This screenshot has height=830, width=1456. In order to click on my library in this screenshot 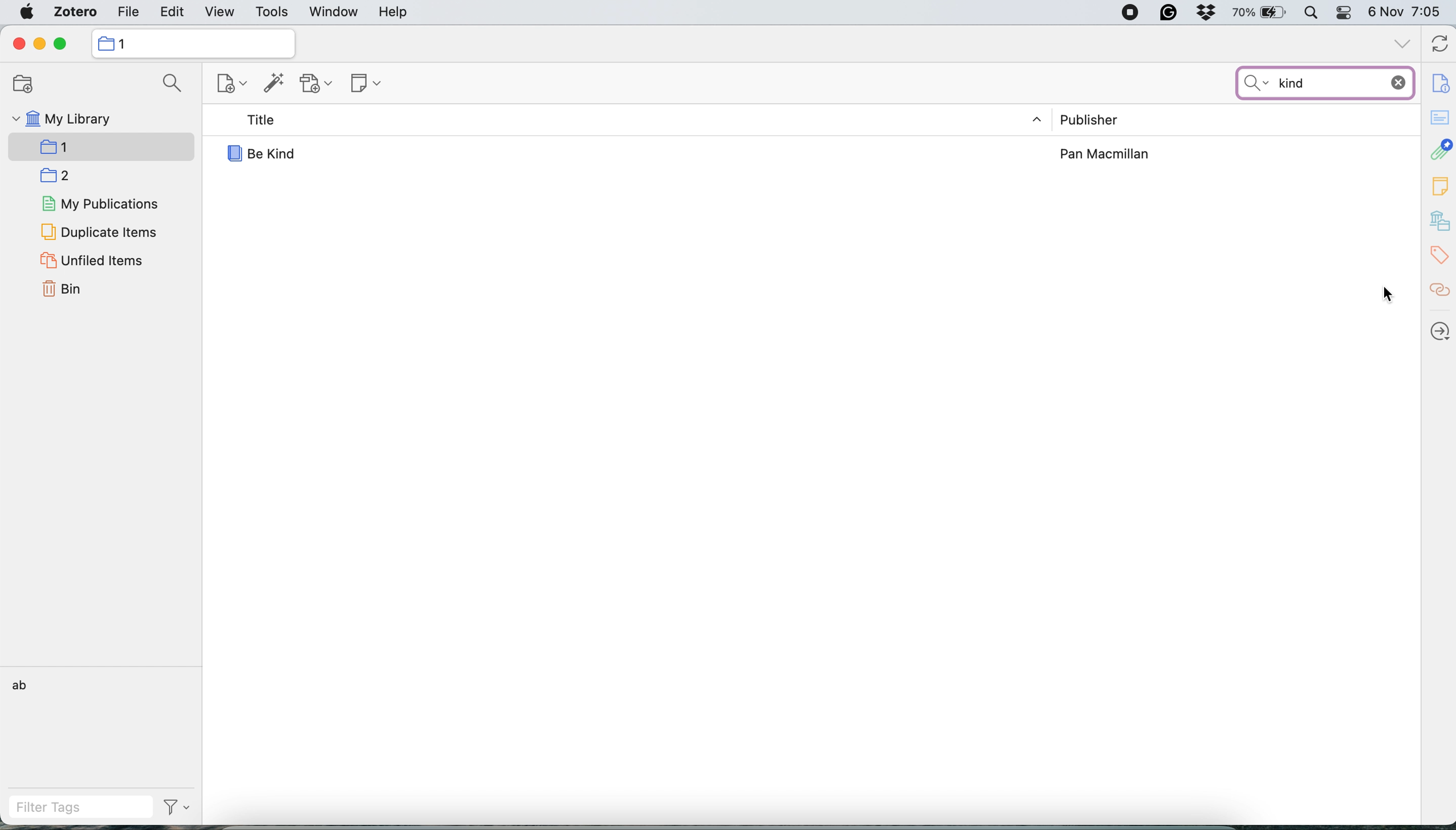, I will do `click(64, 117)`.